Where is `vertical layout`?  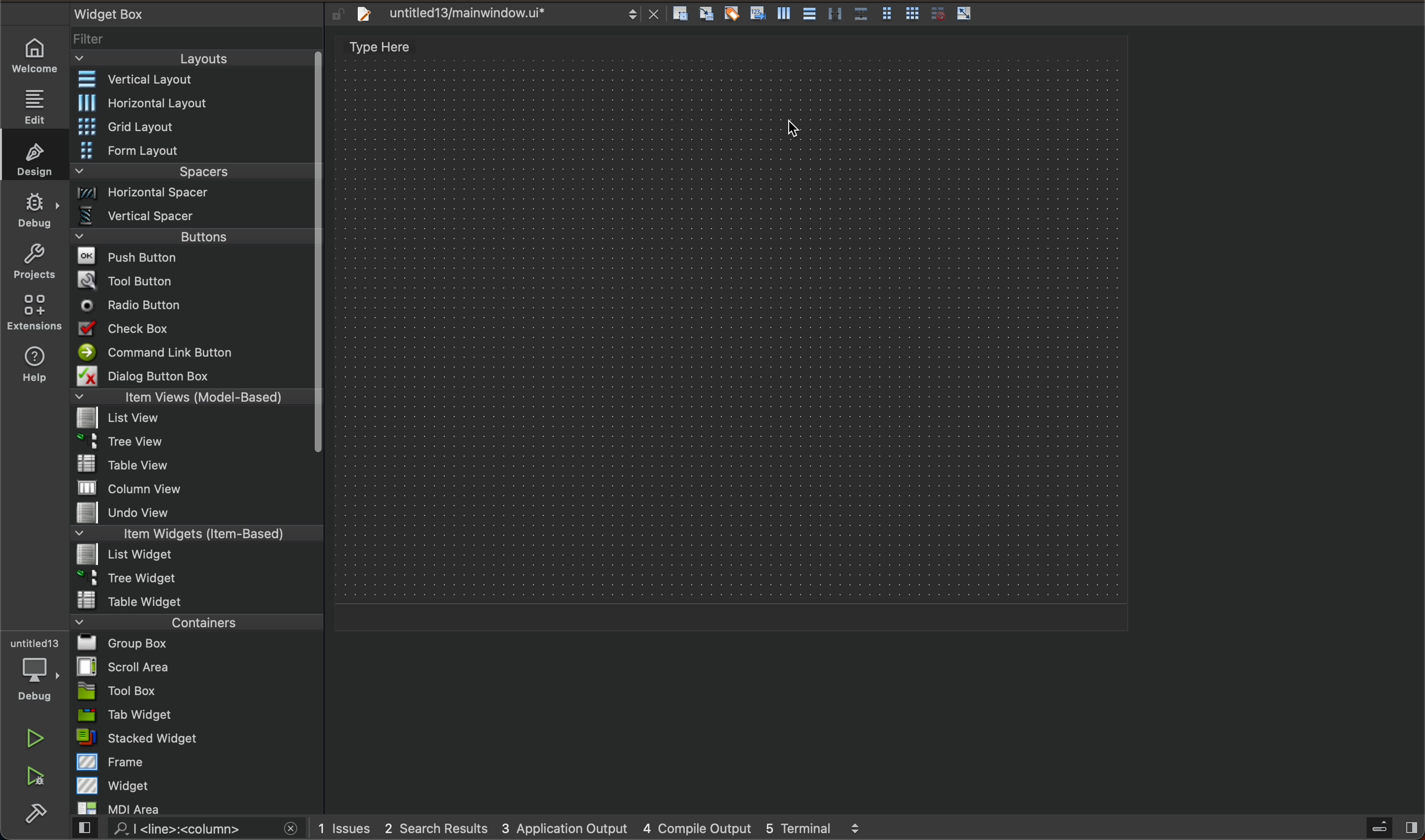
vertical layout is located at coordinates (192, 79).